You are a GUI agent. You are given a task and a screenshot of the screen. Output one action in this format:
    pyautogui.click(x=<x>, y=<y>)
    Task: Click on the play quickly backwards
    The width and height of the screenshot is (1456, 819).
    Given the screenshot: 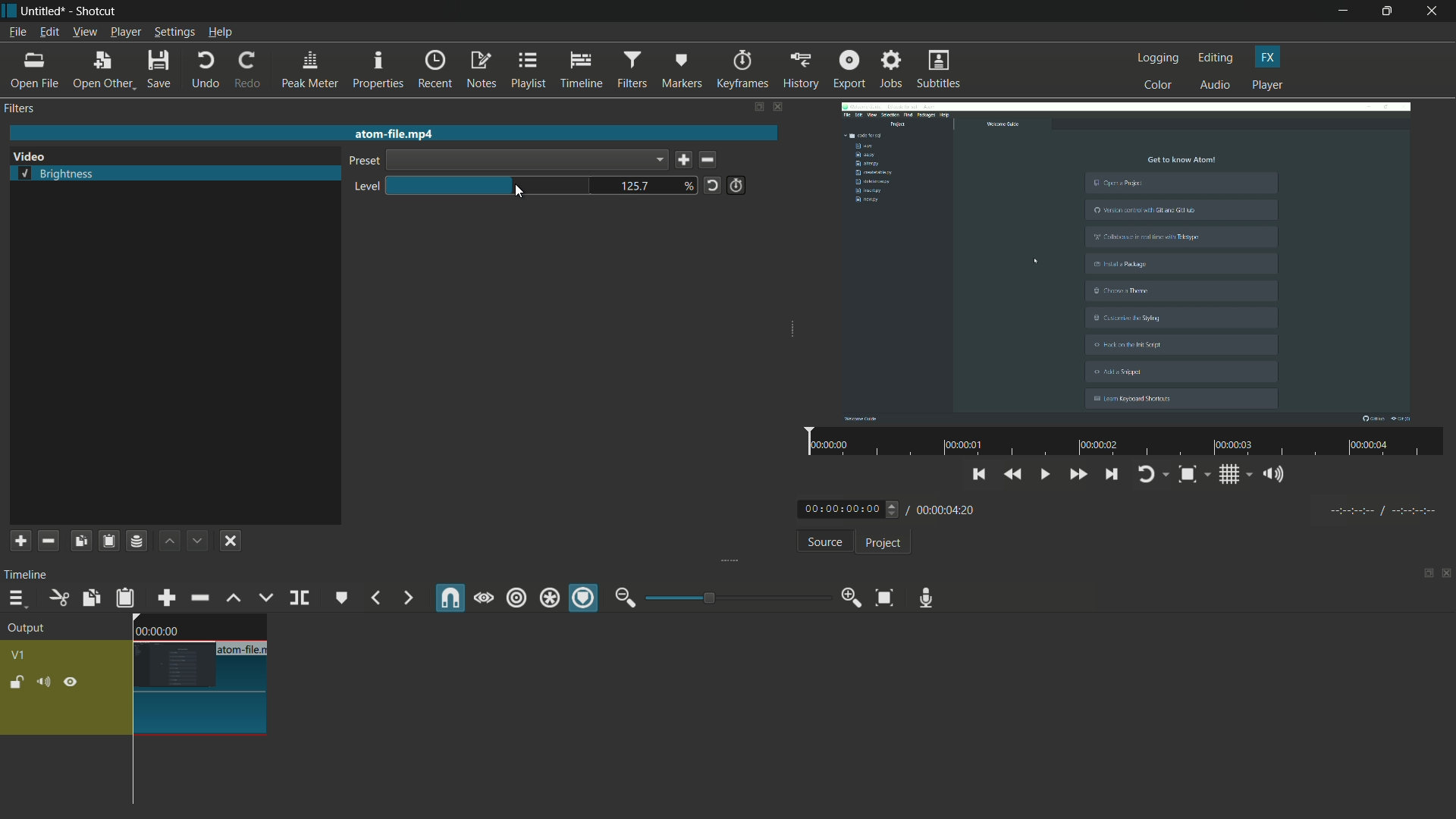 What is the action you would take?
    pyautogui.click(x=1014, y=475)
    